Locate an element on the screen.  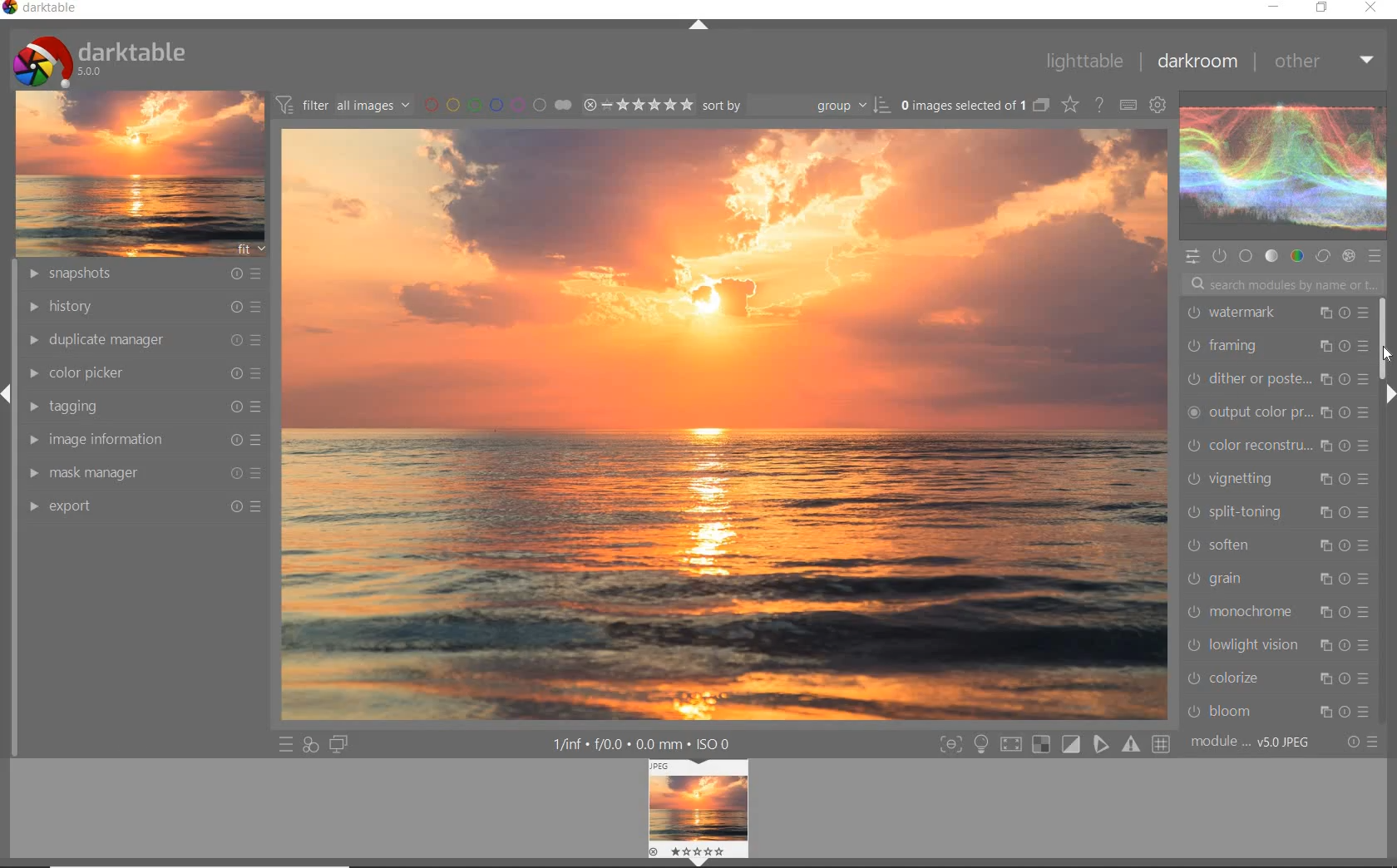
QUICK ACCESS FOR APPLYING ANY OF YOUR STYLE is located at coordinates (309, 746).